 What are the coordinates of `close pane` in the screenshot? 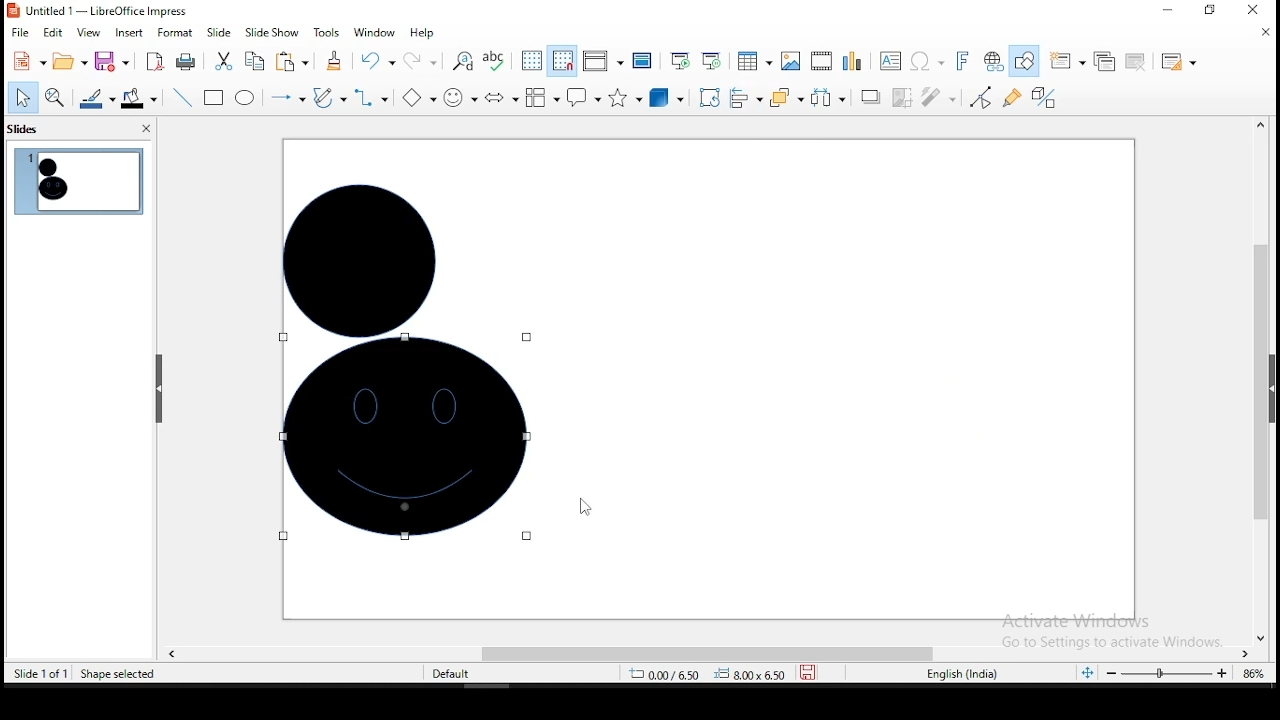 It's located at (144, 130).